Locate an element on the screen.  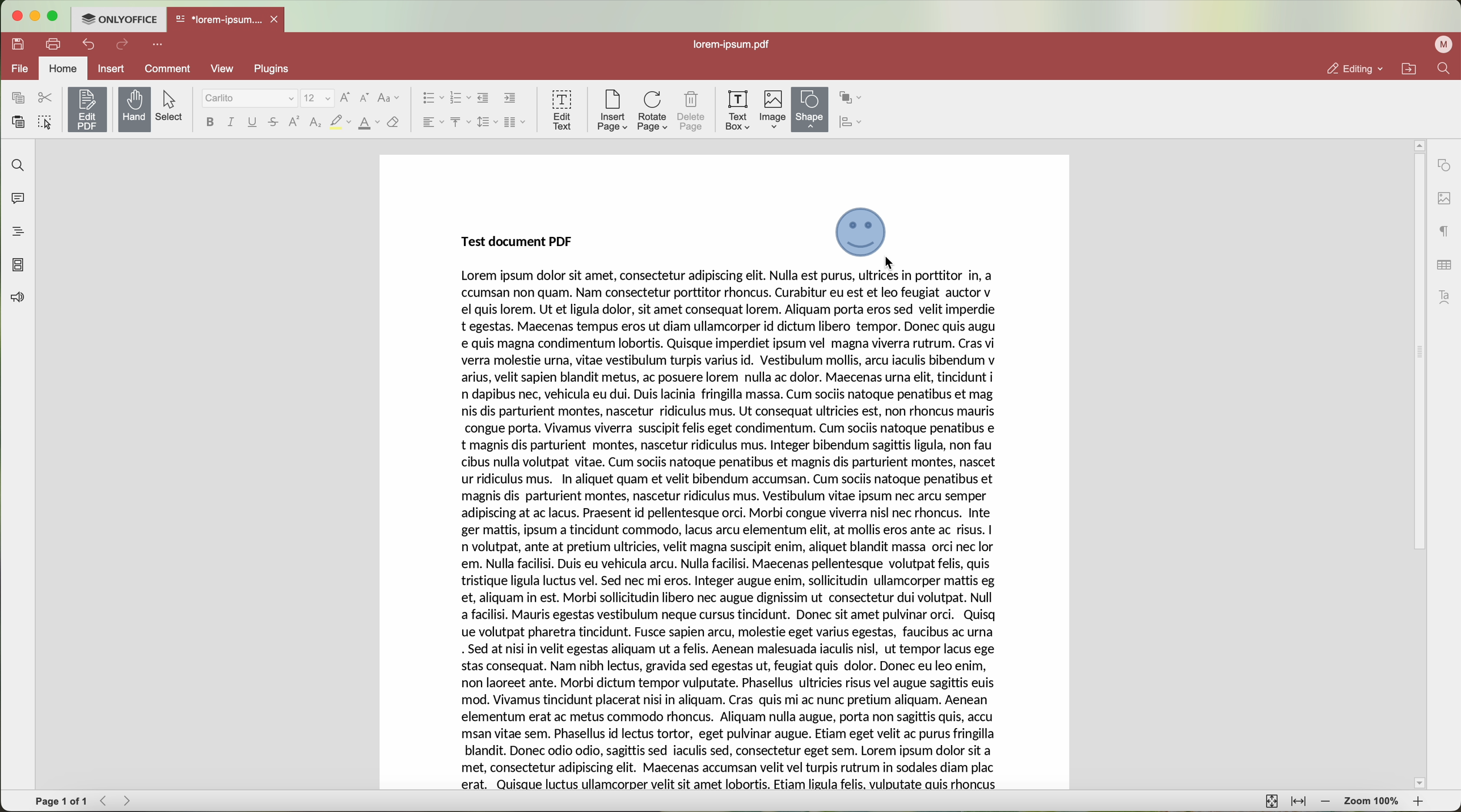
copy is located at coordinates (15, 97).